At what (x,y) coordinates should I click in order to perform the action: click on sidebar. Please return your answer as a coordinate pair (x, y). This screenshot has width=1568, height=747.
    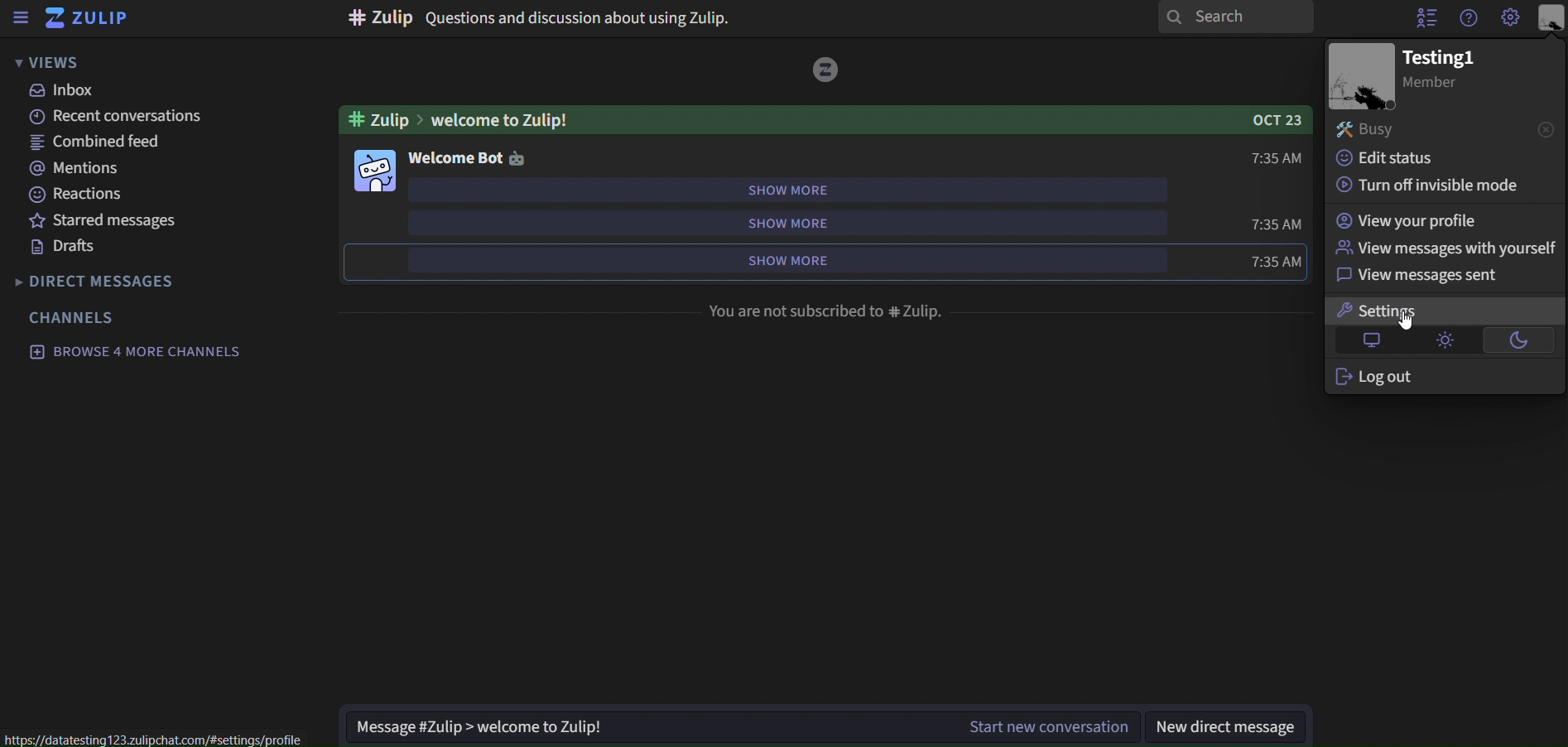
    Looking at the image, I should click on (22, 17).